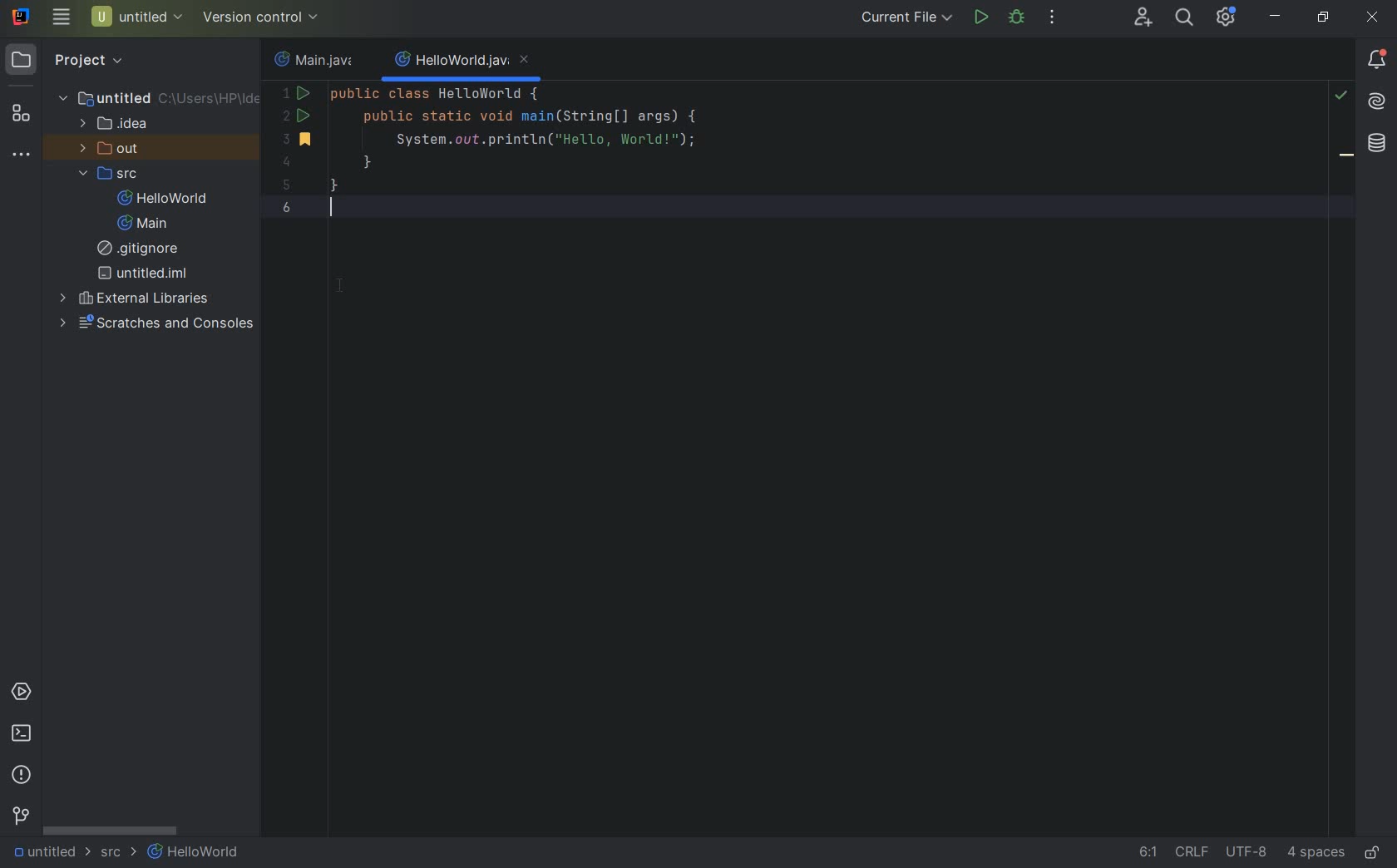  What do you see at coordinates (196, 854) in the screenshot?
I see `HelloWorld` at bounding box center [196, 854].